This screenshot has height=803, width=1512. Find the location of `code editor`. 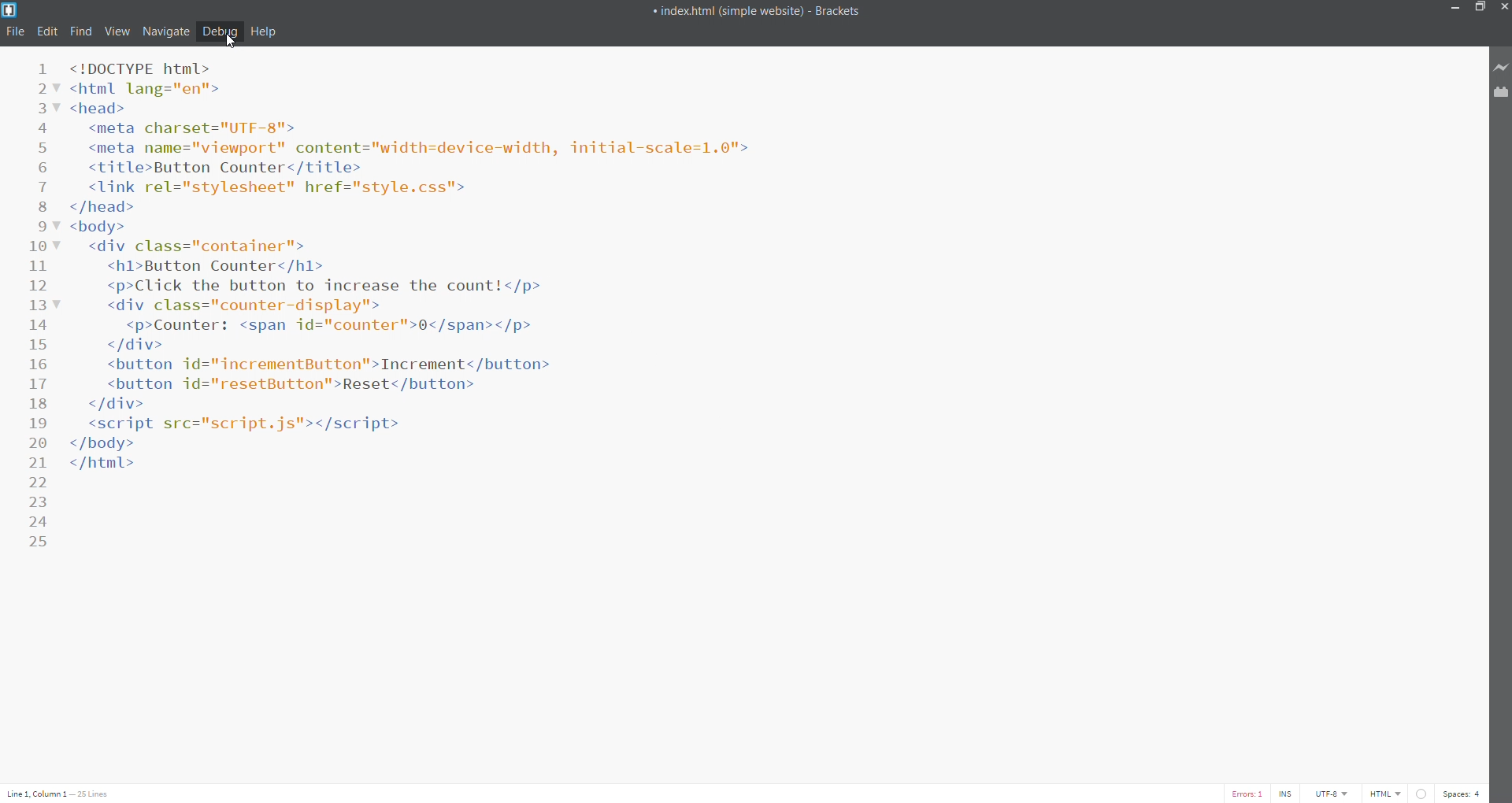

code editor is located at coordinates (755, 420).